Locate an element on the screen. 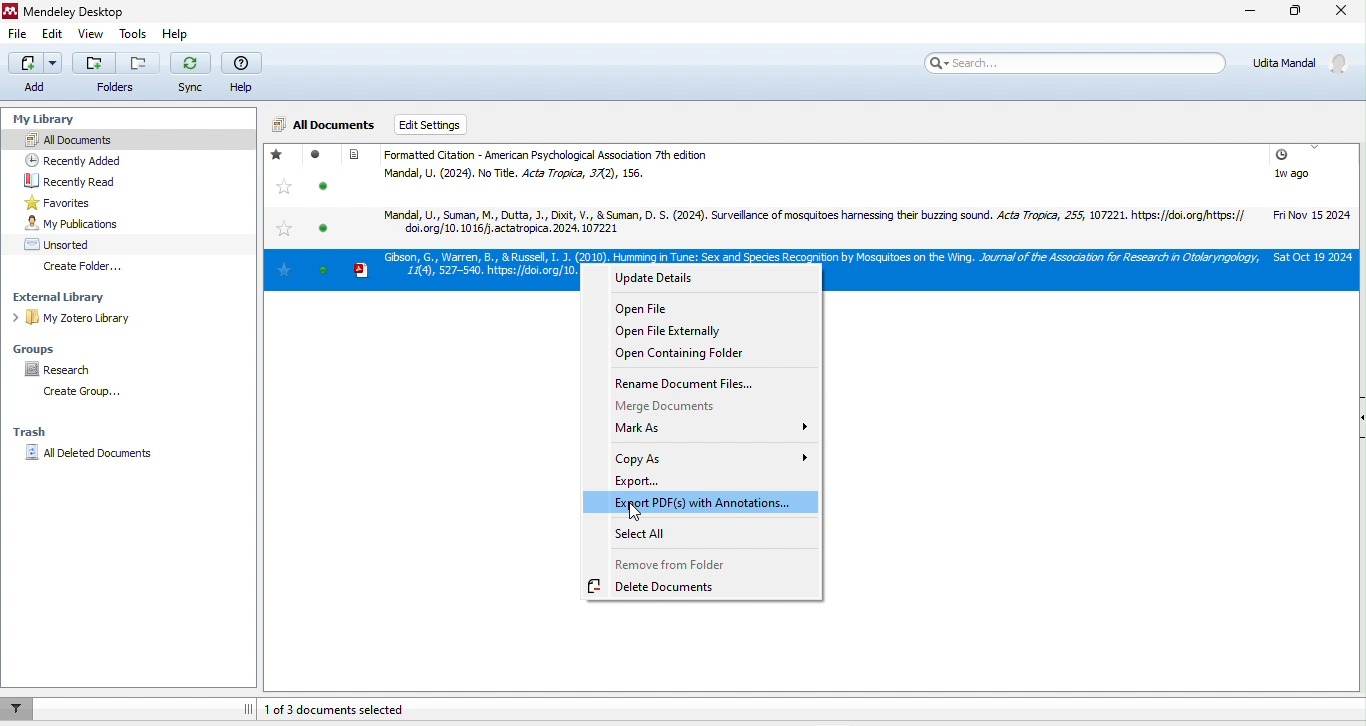 The image size is (1366, 726). open containing folder is located at coordinates (678, 353).